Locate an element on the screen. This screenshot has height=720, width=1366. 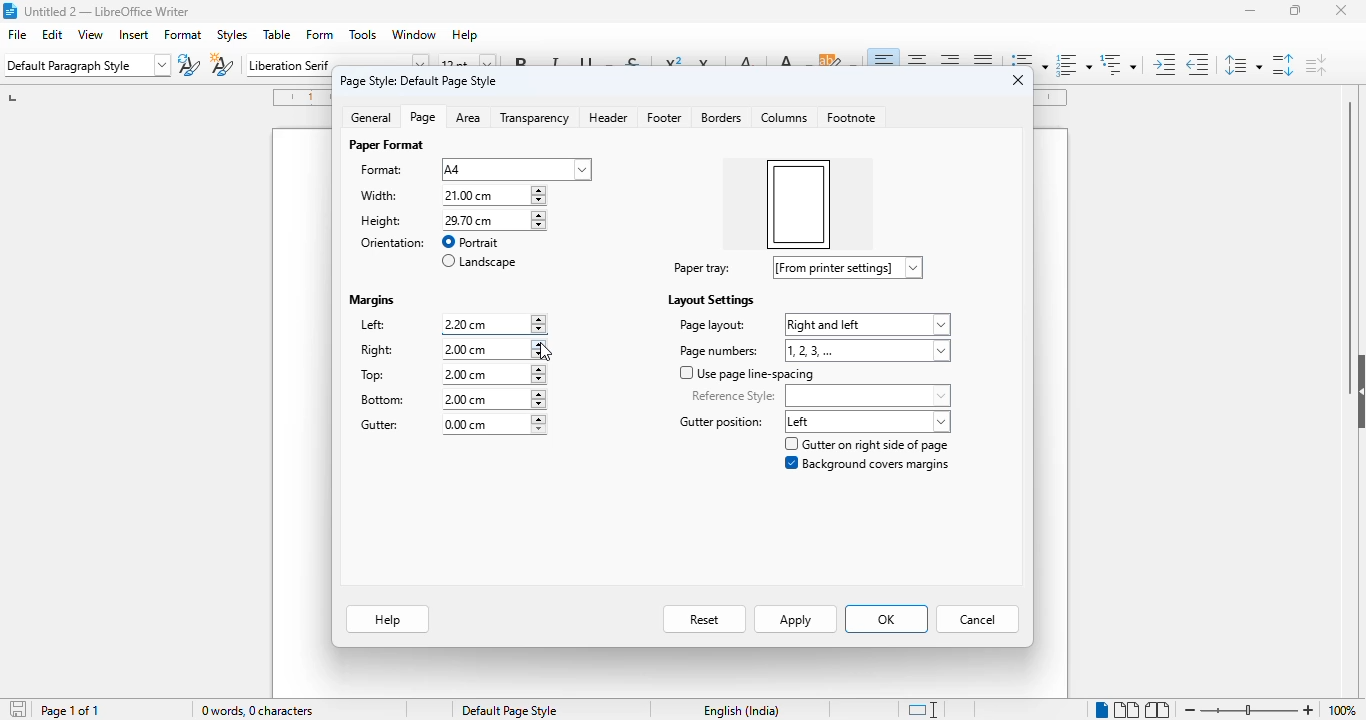
insert is located at coordinates (134, 34).